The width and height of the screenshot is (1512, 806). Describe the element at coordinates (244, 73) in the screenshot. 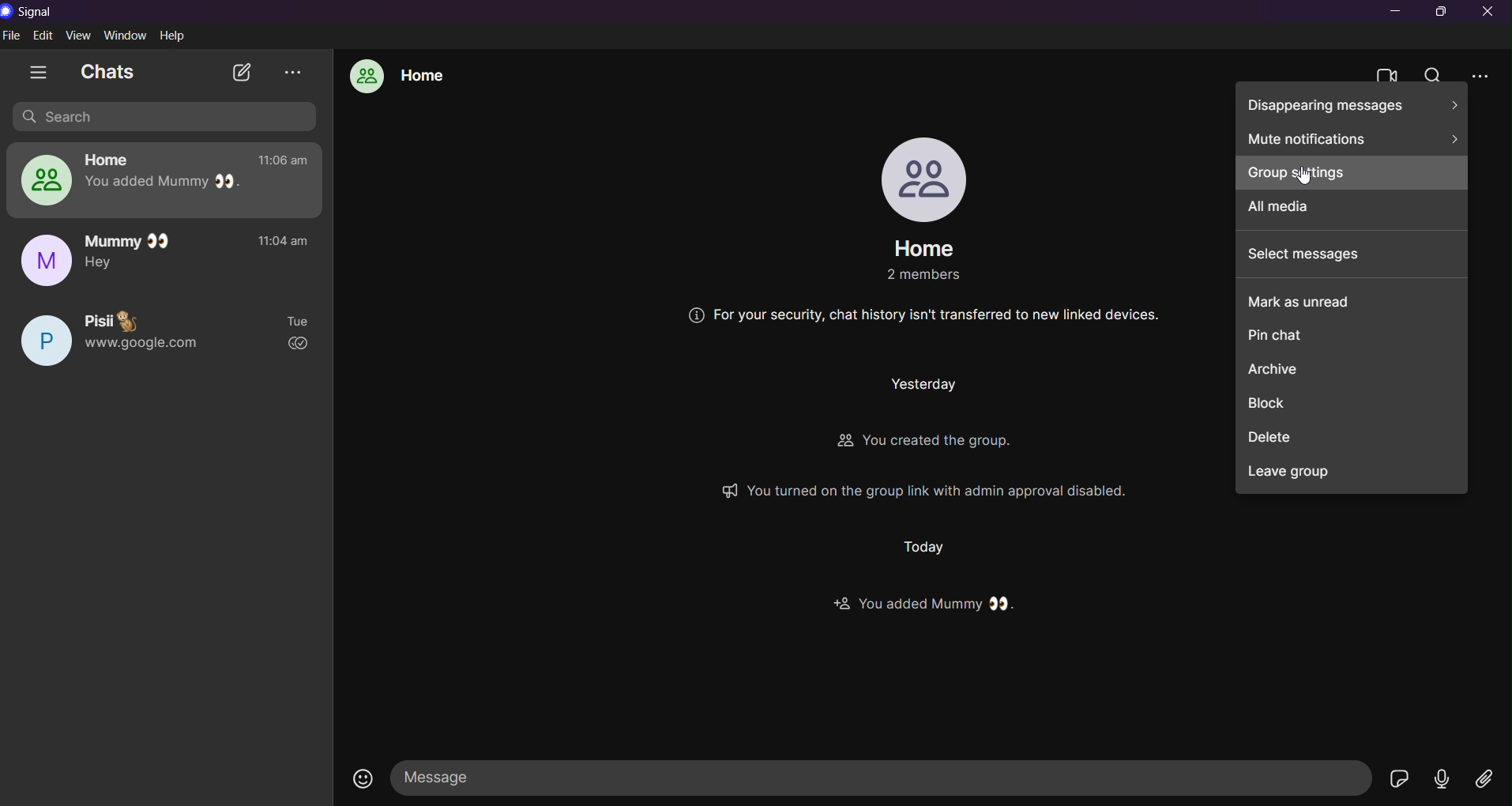

I see `new chat` at that location.